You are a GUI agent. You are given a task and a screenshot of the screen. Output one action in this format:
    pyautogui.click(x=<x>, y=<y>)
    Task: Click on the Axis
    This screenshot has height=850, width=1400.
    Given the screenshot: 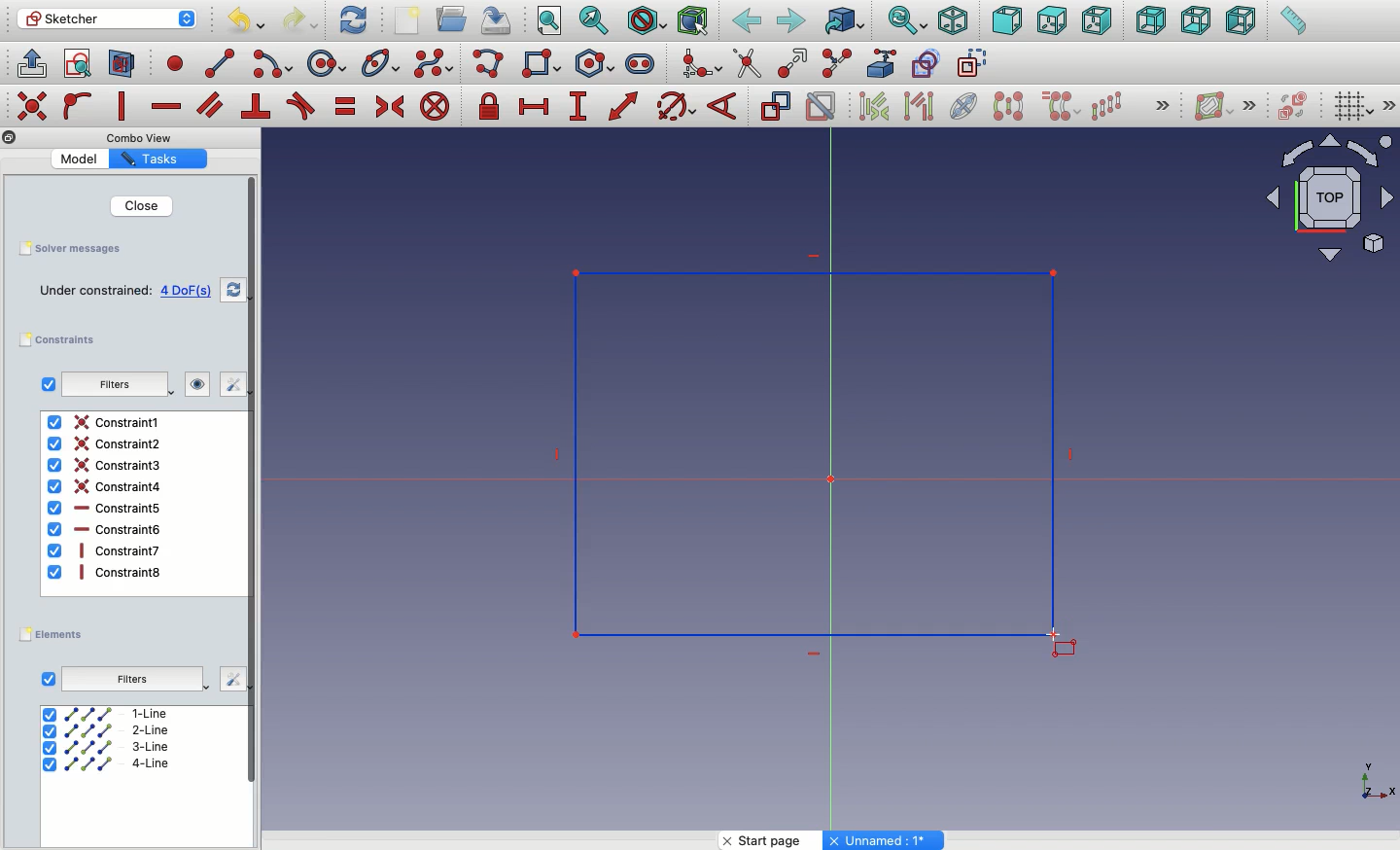 What is the action you would take?
    pyautogui.click(x=1374, y=775)
    